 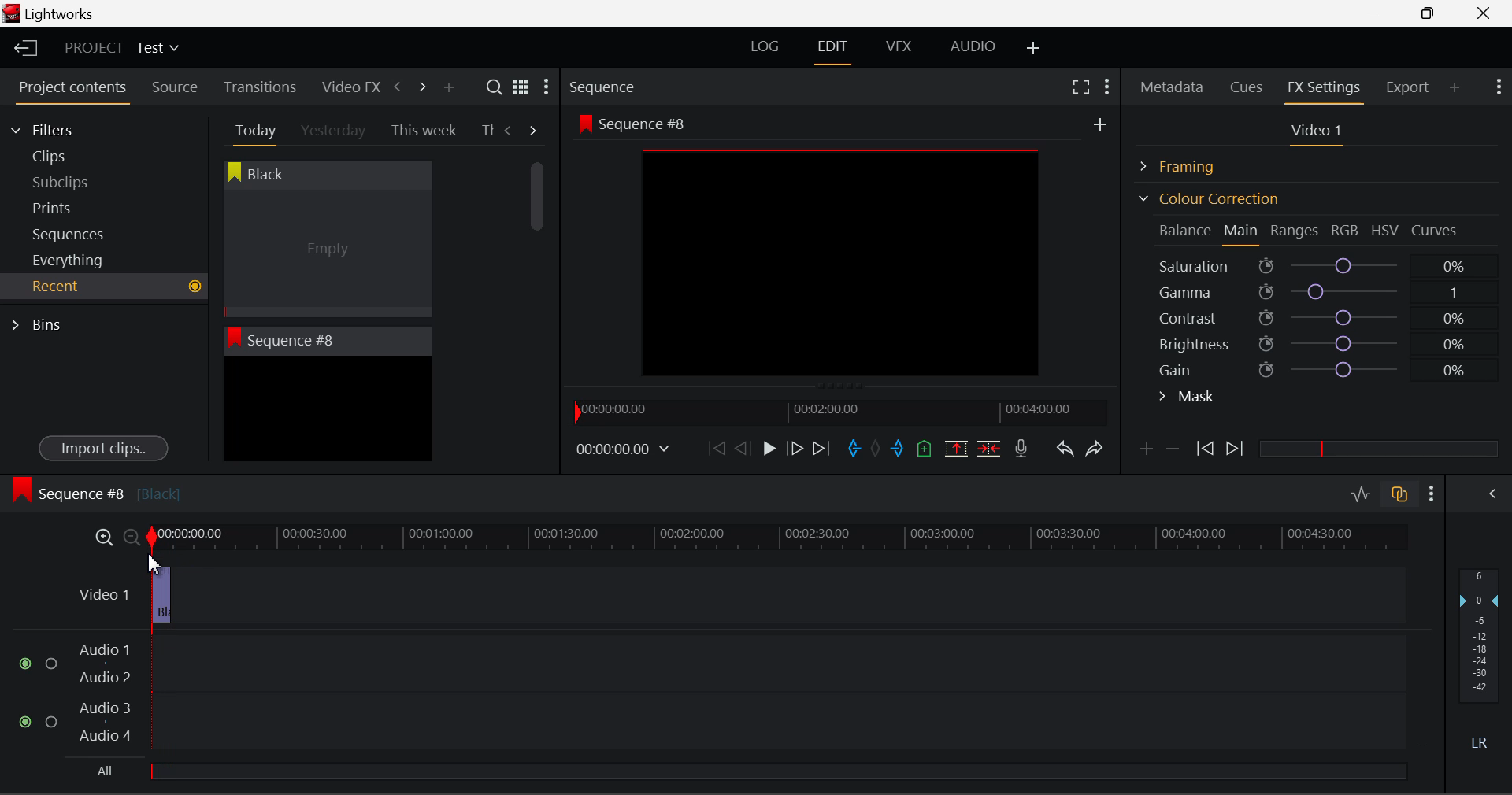 I want to click on Sequence #8, so click(x=95, y=490).